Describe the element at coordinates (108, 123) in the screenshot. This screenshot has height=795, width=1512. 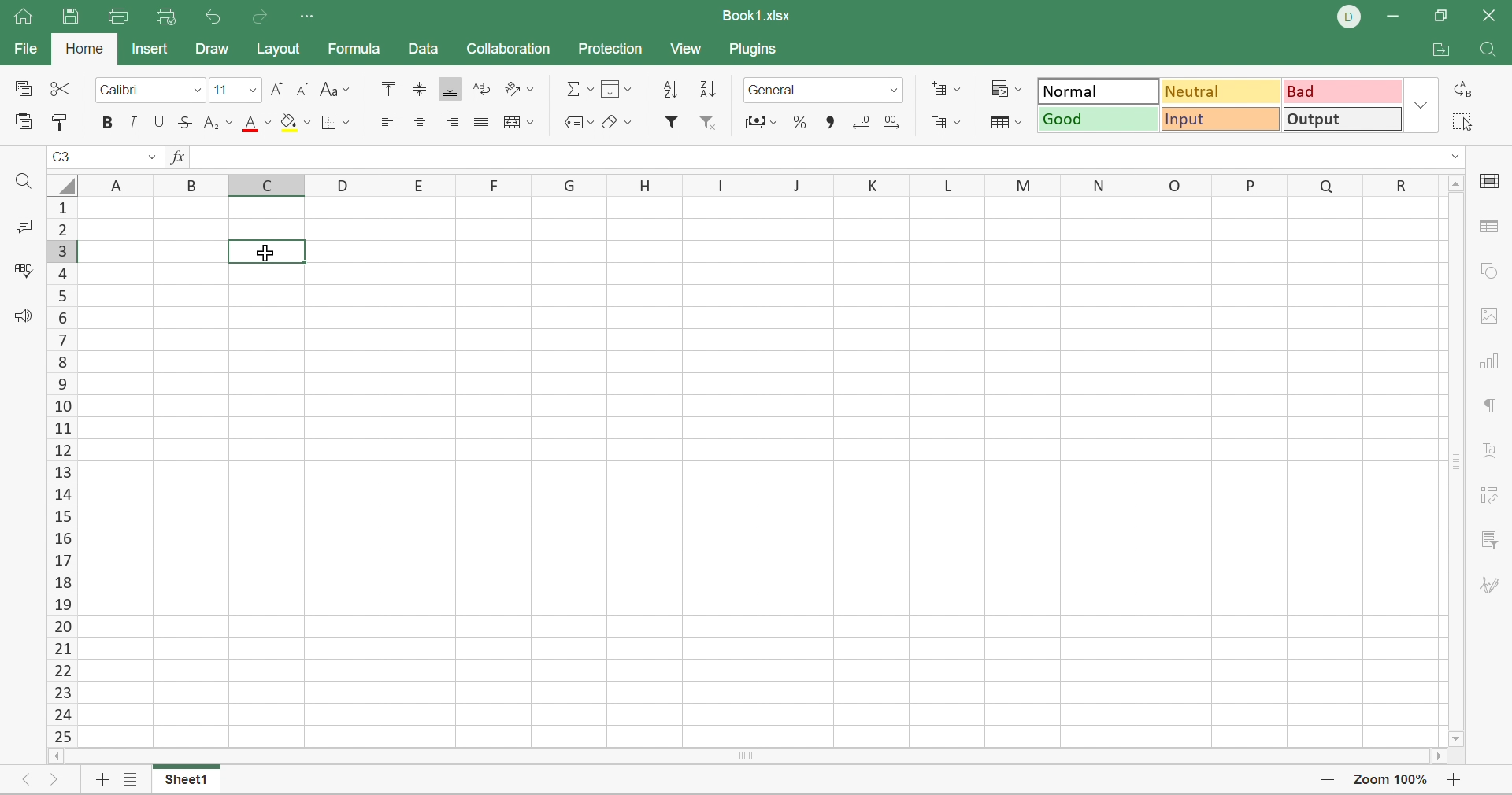
I see `Bold` at that location.